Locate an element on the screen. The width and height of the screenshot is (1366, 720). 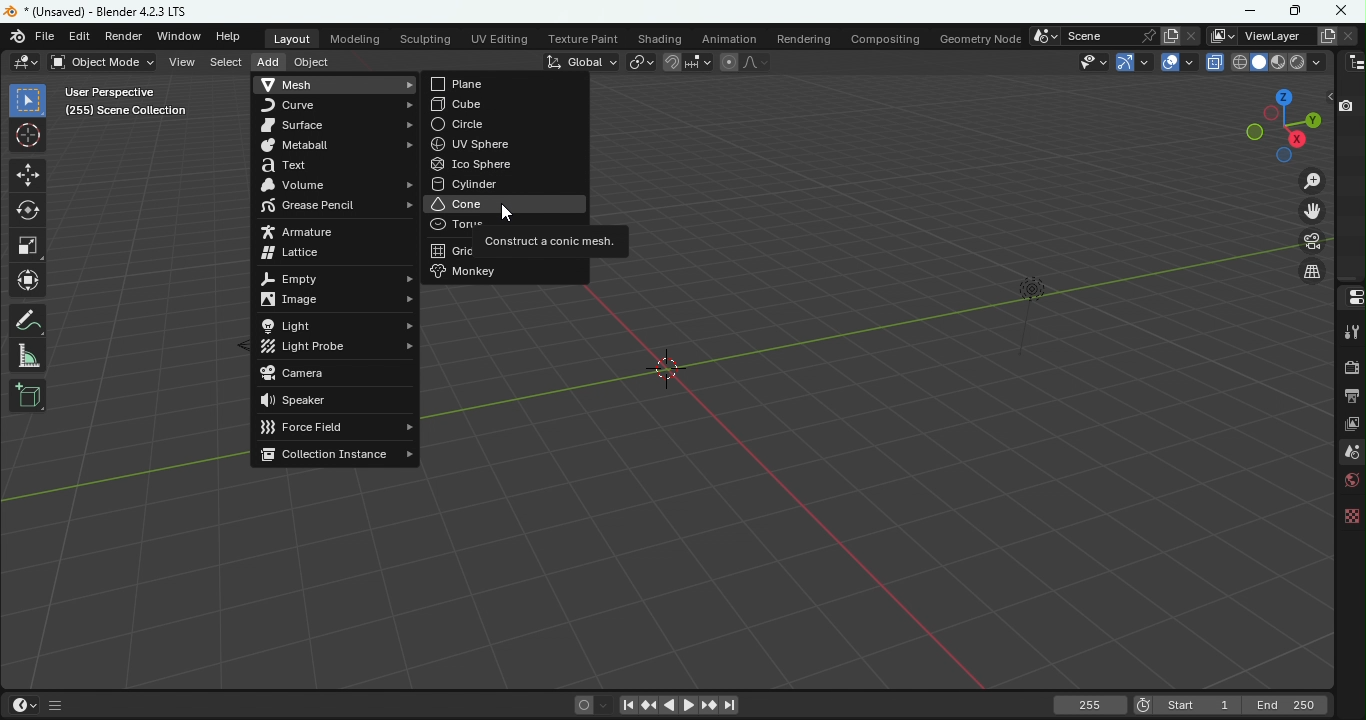
Mesh is located at coordinates (337, 85).